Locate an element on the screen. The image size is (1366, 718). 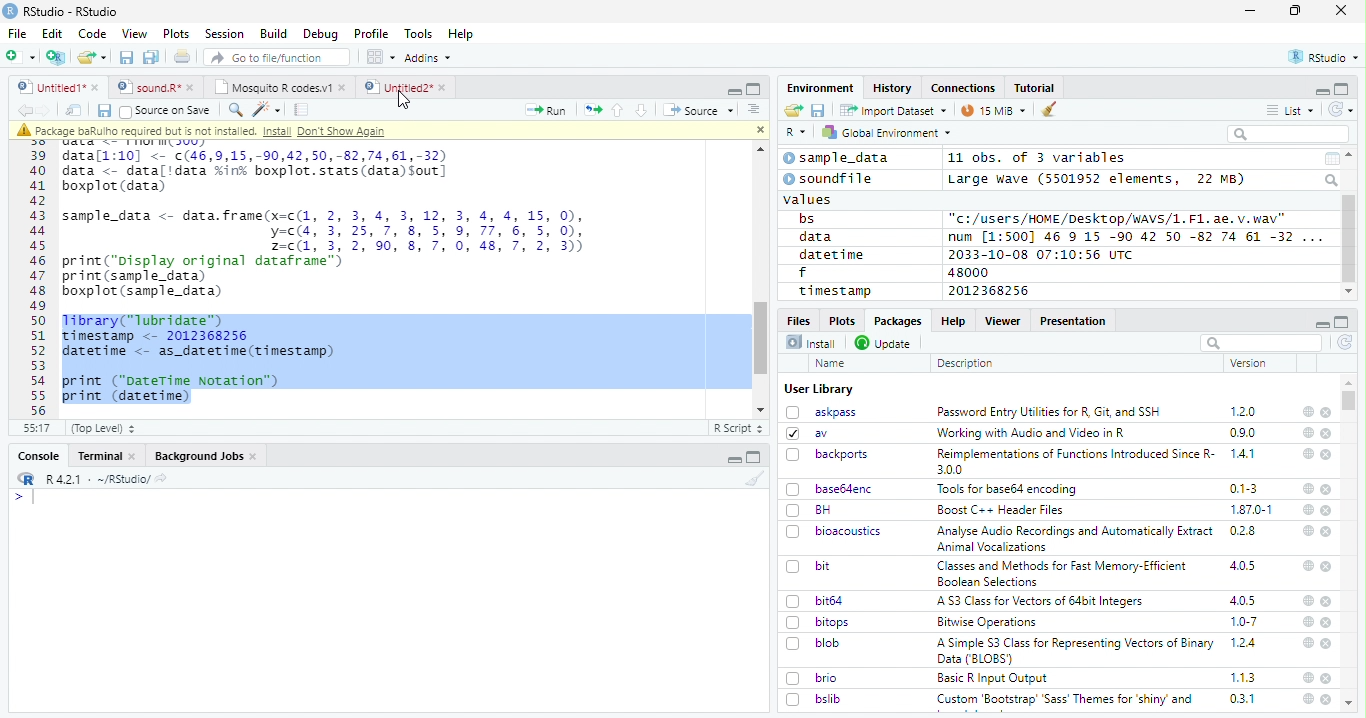
New file is located at coordinates (22, 57).